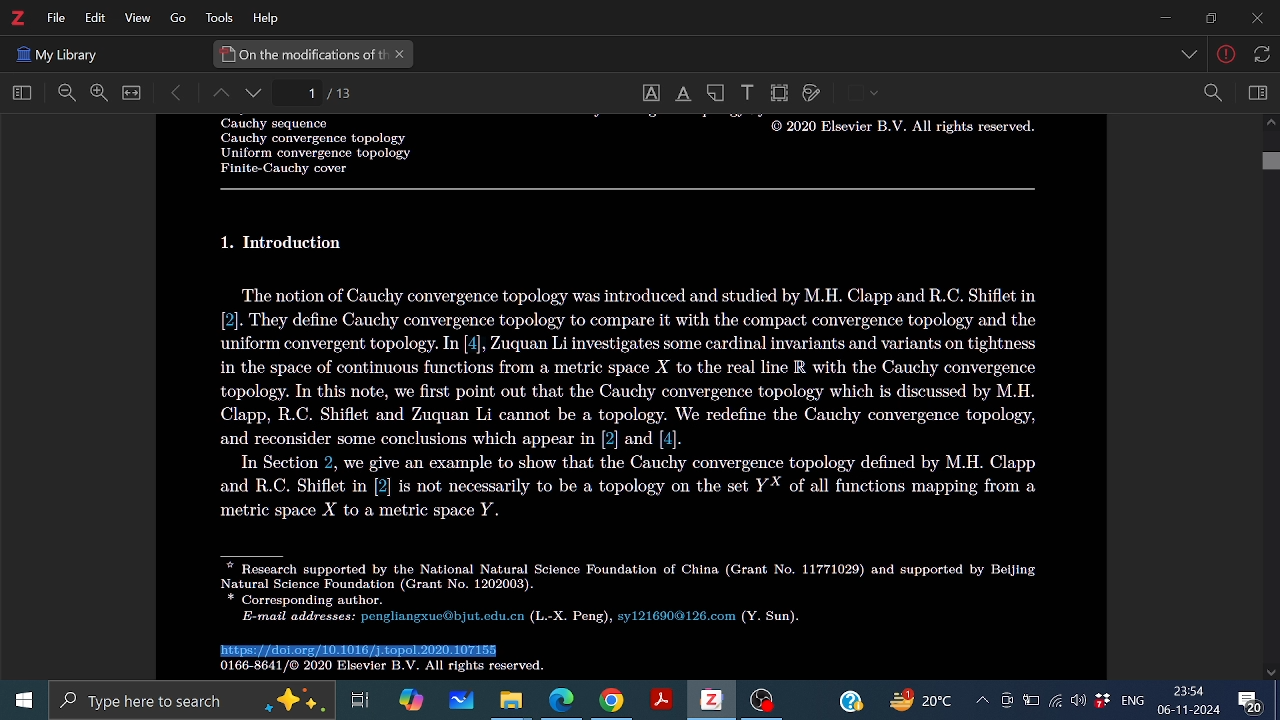 This screenshot has width=1280, height=720. What do you see at coordinates (1255, 20) in the screenshot?
I see `Close` at bounding box center [1255, 20].